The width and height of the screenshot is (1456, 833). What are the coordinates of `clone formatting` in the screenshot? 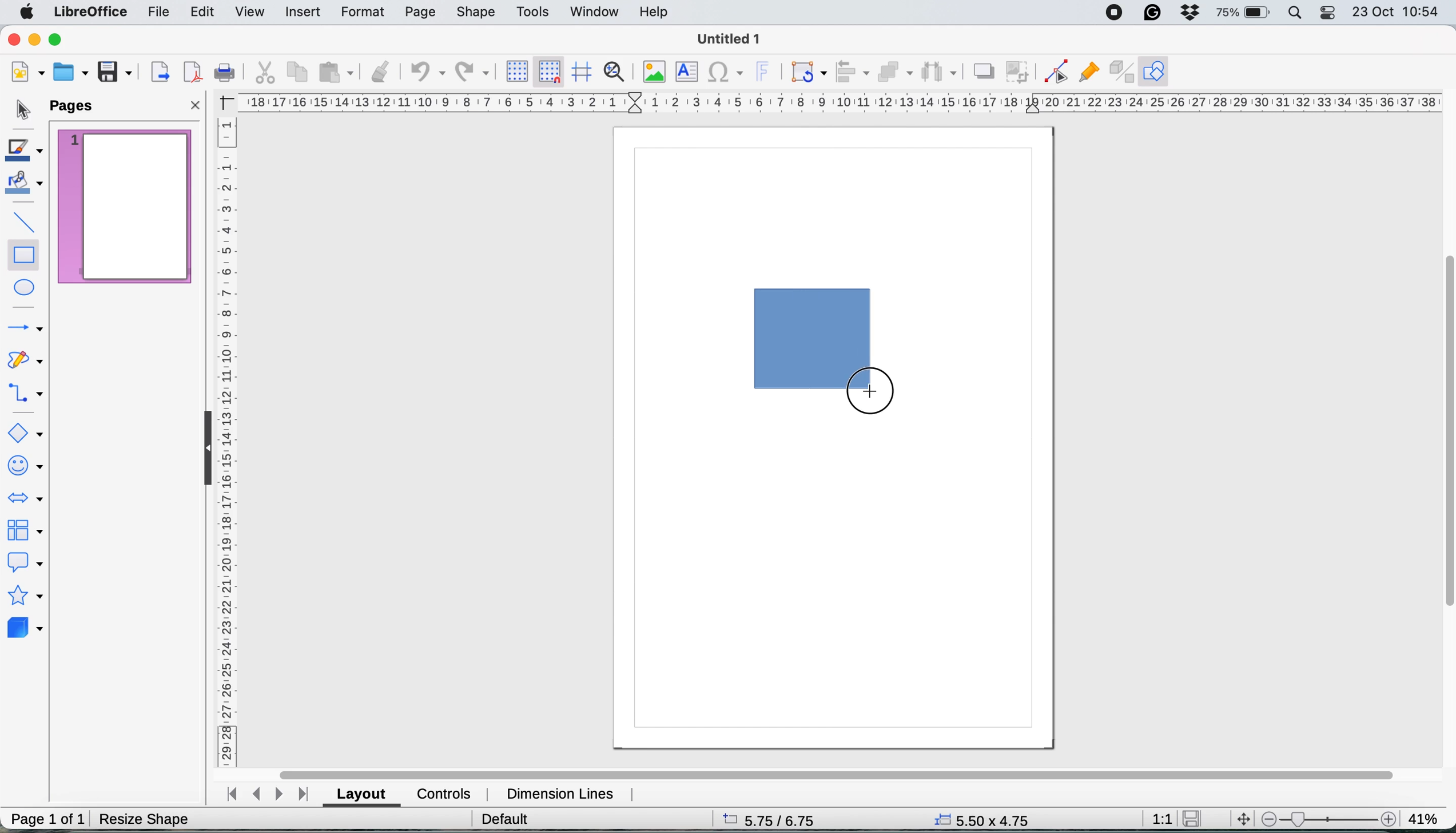 It's located at (381, 72).